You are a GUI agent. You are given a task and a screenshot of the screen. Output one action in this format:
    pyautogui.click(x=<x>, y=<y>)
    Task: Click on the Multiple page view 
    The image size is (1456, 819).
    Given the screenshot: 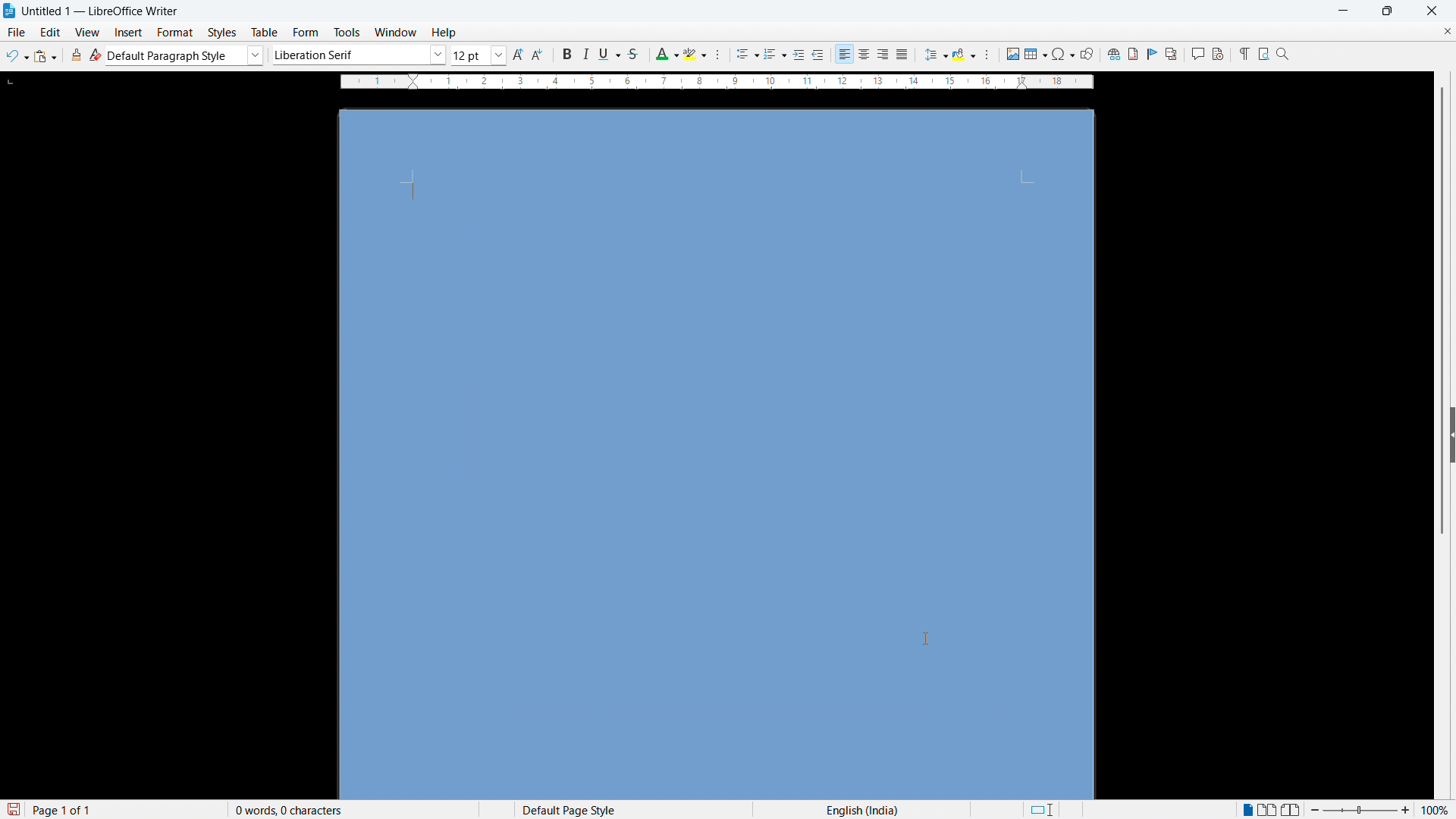 What is the action you would take?
    pyautogui.click(x=1269, y=809)
    